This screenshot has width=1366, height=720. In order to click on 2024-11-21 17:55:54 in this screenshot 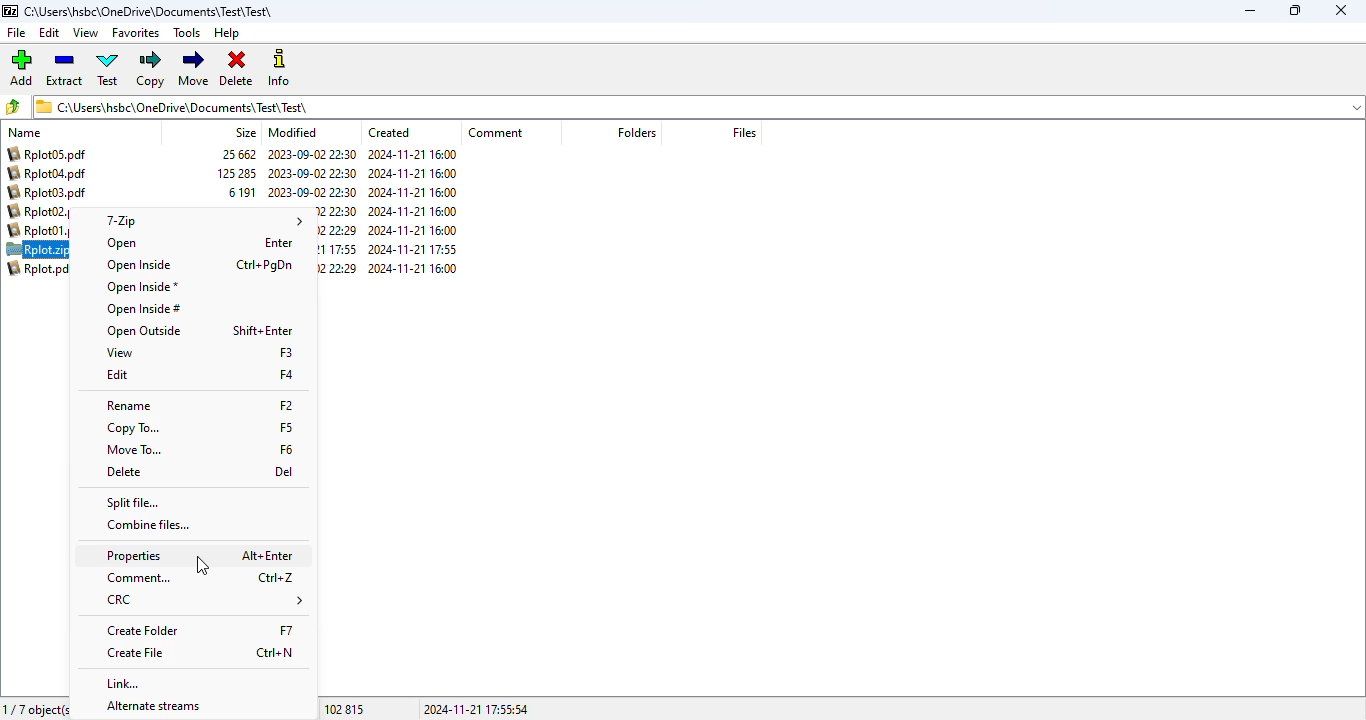, I will do `click(477, 708)`.